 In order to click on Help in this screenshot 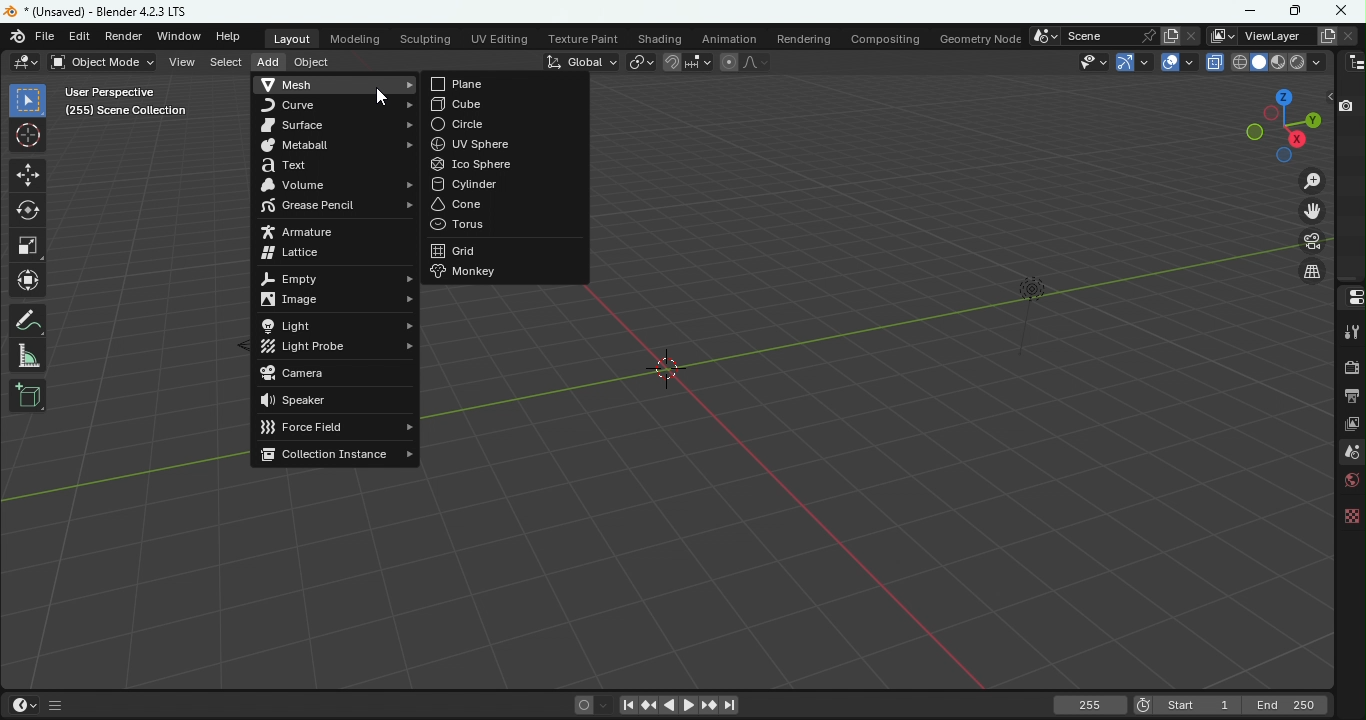, I will do `click(235, 37)`.